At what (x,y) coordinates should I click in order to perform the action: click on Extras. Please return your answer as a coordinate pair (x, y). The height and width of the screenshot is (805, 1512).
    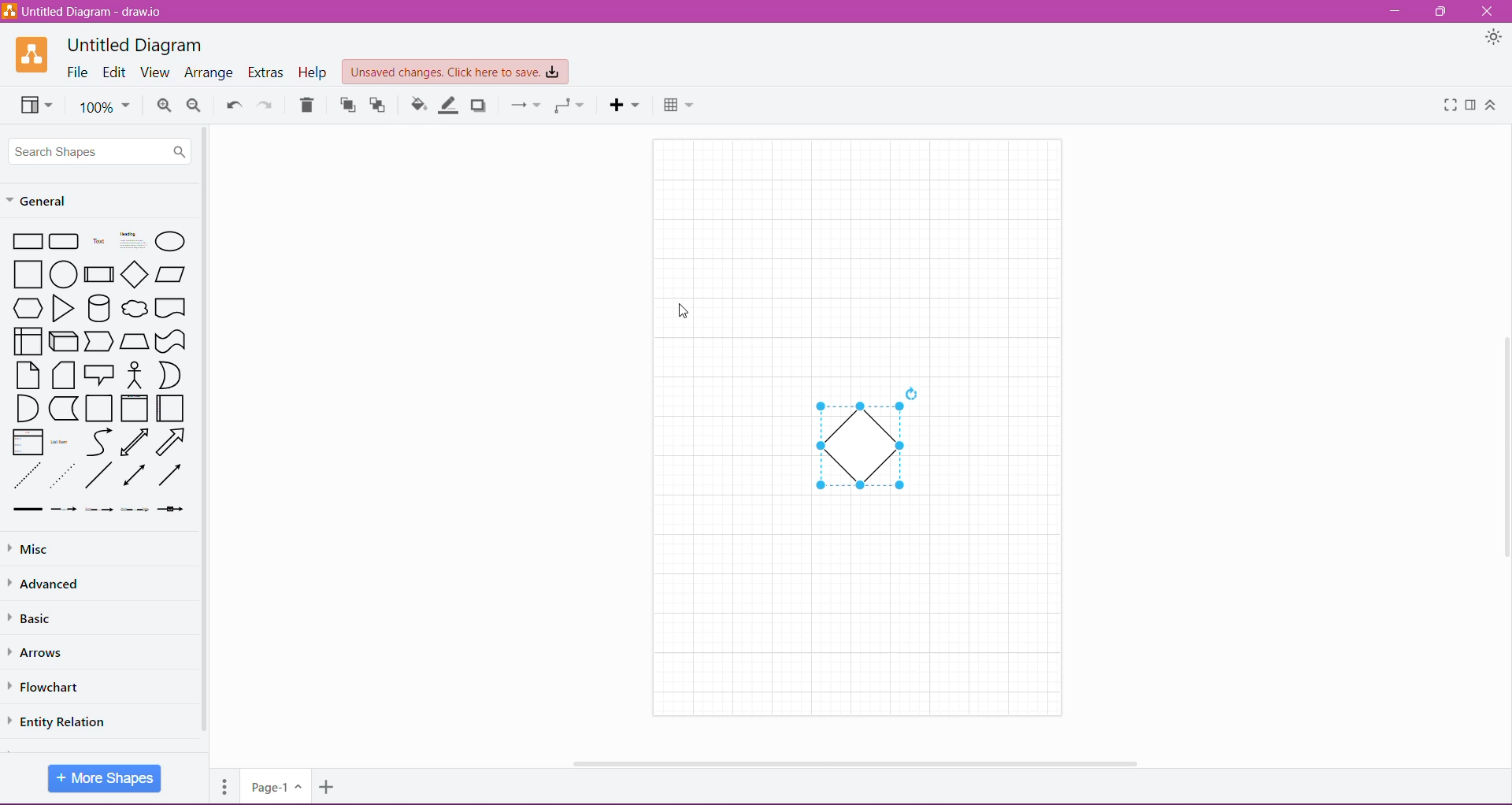
    Looking at the image, I should click on (265, 72).